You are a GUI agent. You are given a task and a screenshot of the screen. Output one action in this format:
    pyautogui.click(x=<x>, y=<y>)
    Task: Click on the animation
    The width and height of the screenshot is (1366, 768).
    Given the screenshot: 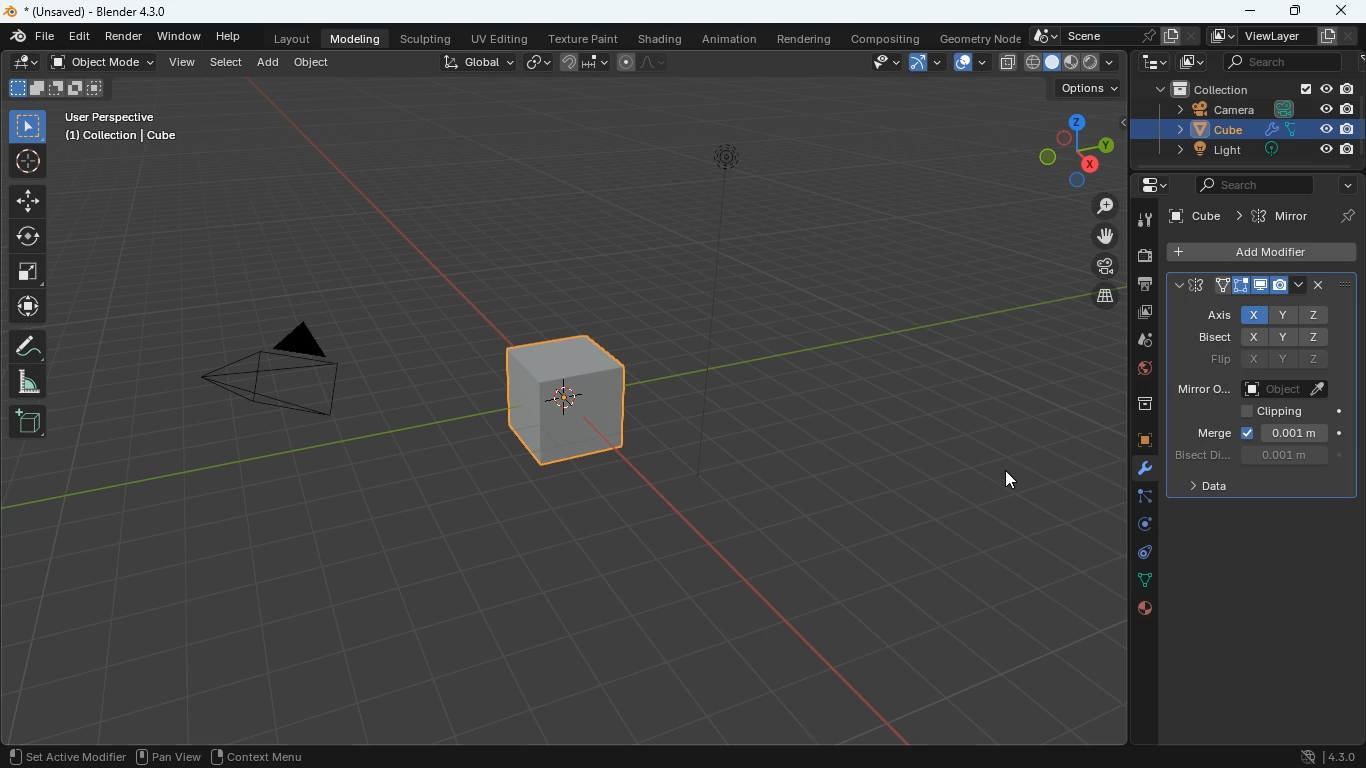 What is the action you would take?
    pyautogui.click(x=732, y=39)
    